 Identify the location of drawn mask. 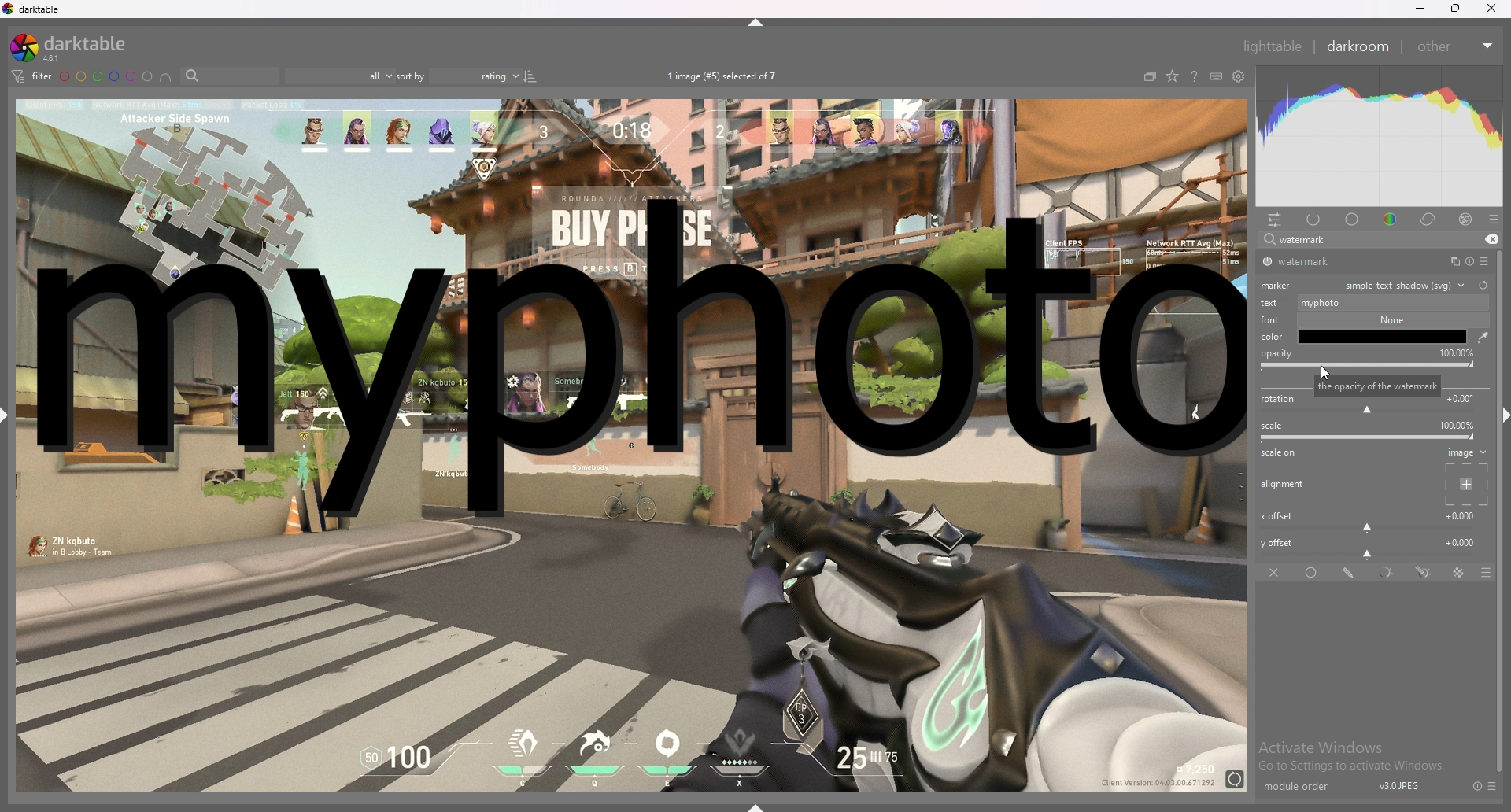
(1350, 573).